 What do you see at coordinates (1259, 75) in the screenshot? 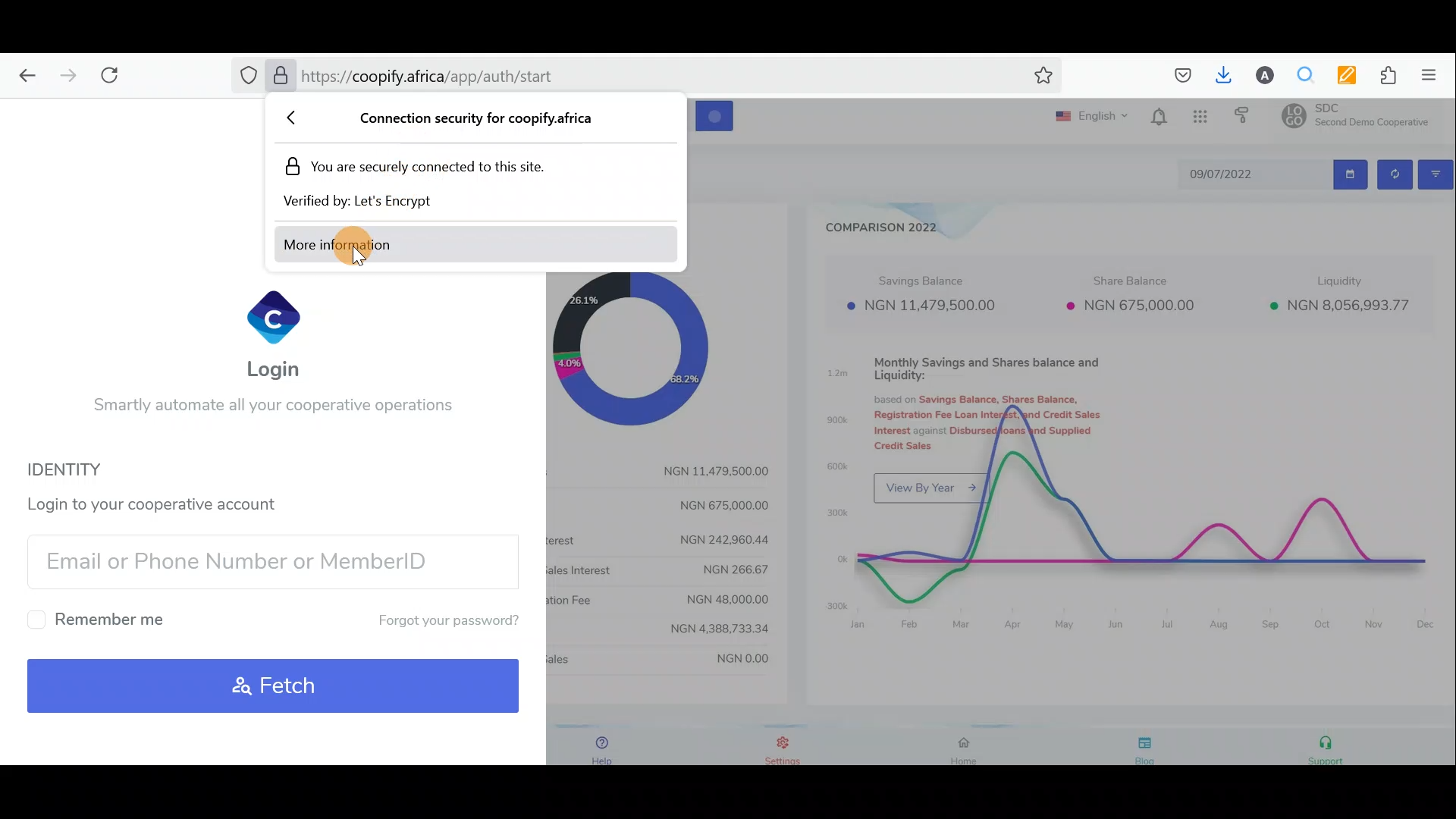
I see `Account` at bounding box center [1259, 75].